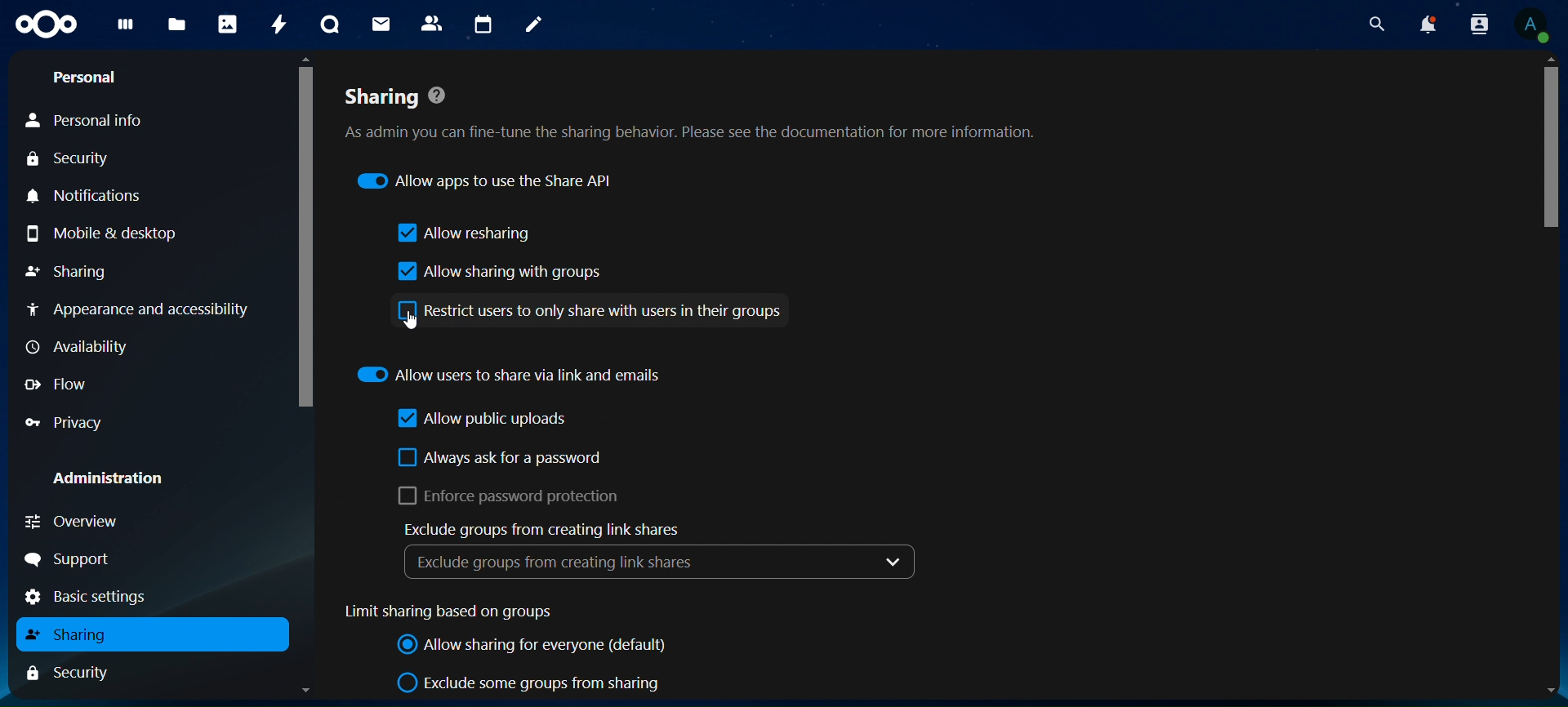 This screenshot has height=707, width=1568. I want to click on overview, so click(89, 522).